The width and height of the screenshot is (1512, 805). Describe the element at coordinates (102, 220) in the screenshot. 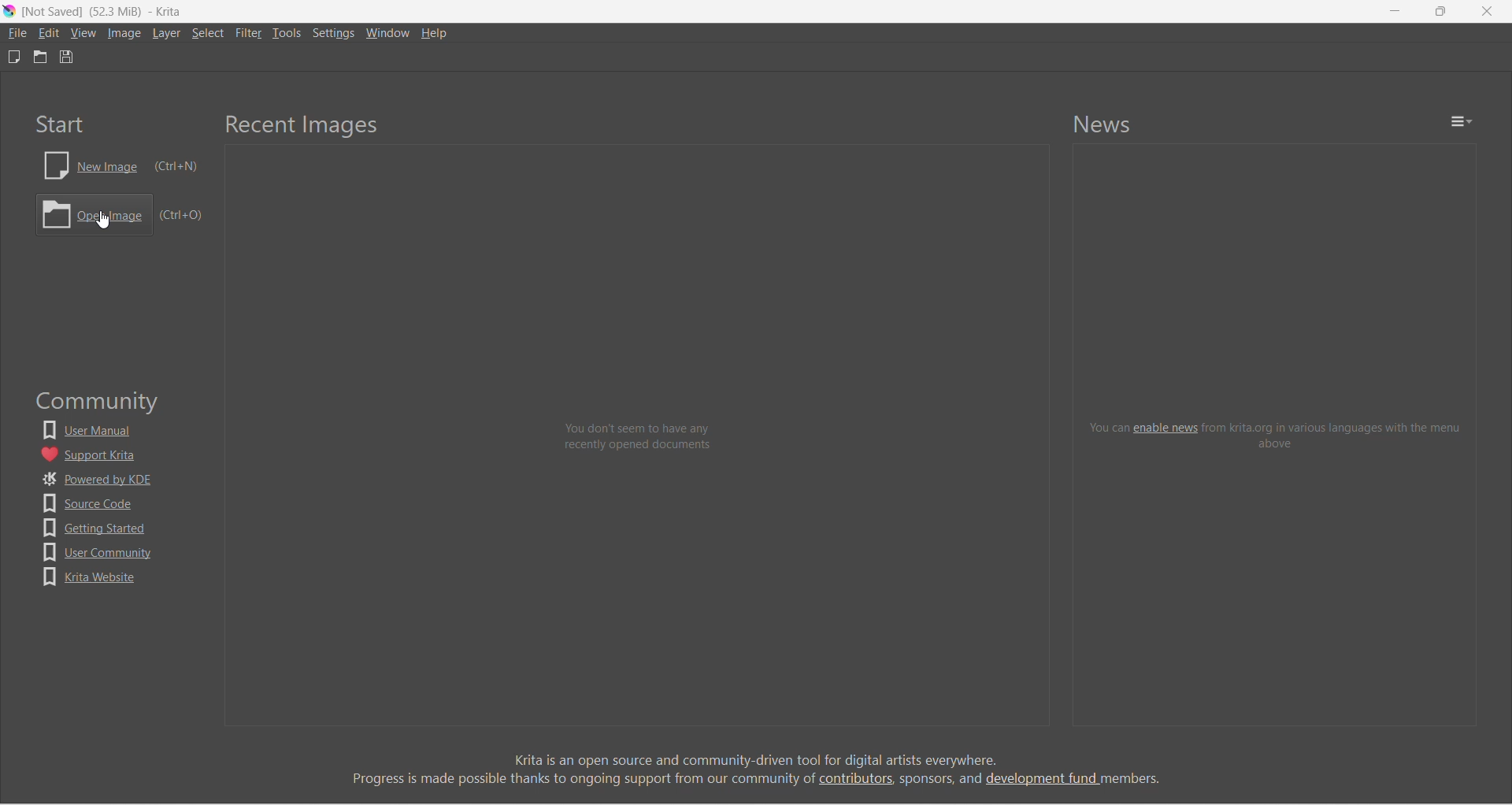

I see `Cursor` at that location.